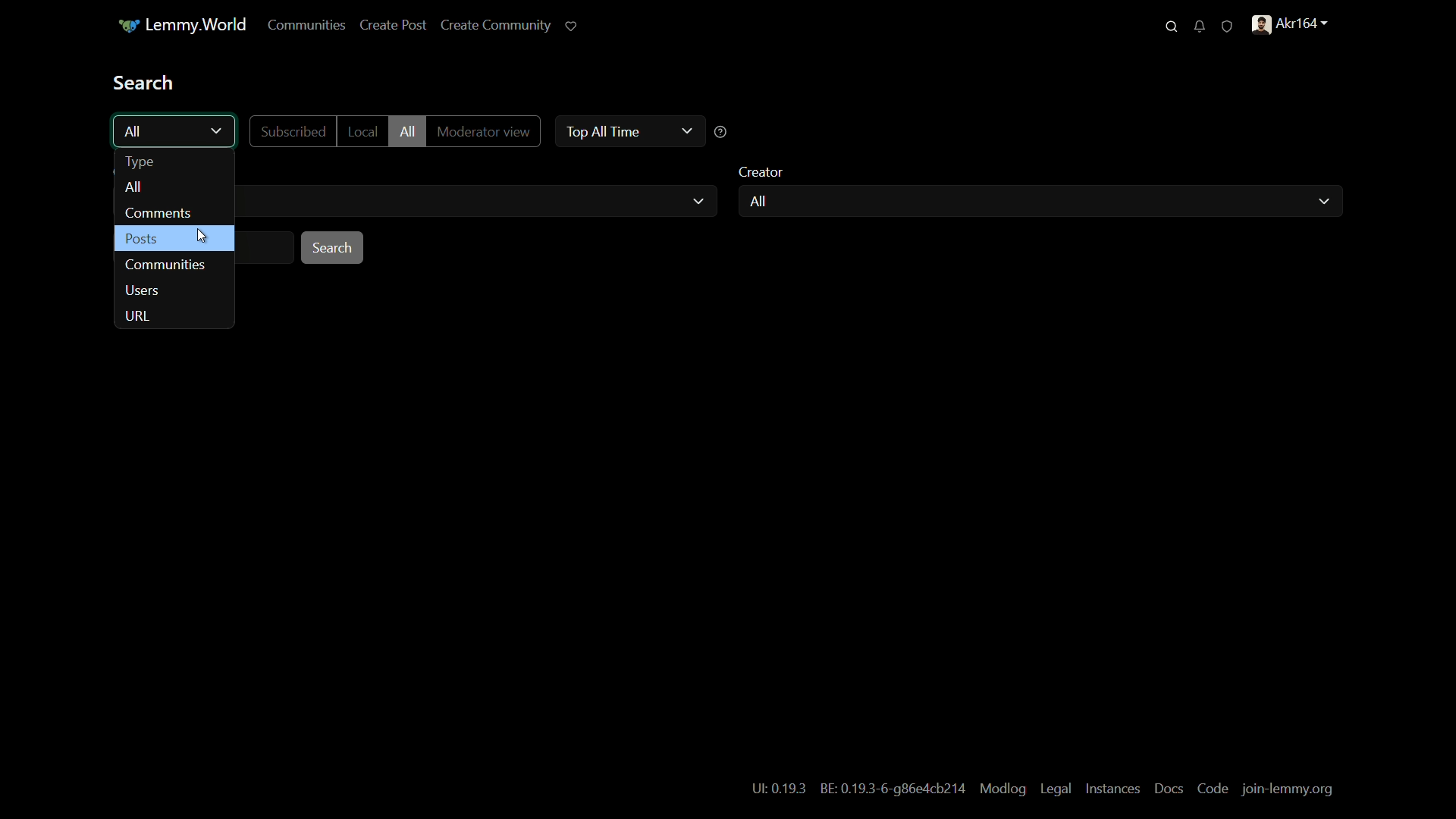 This screenshot has height=819, width=1456. Describe the element at coordinates (307, 26) in the screenshot. I see `communities` at that location.